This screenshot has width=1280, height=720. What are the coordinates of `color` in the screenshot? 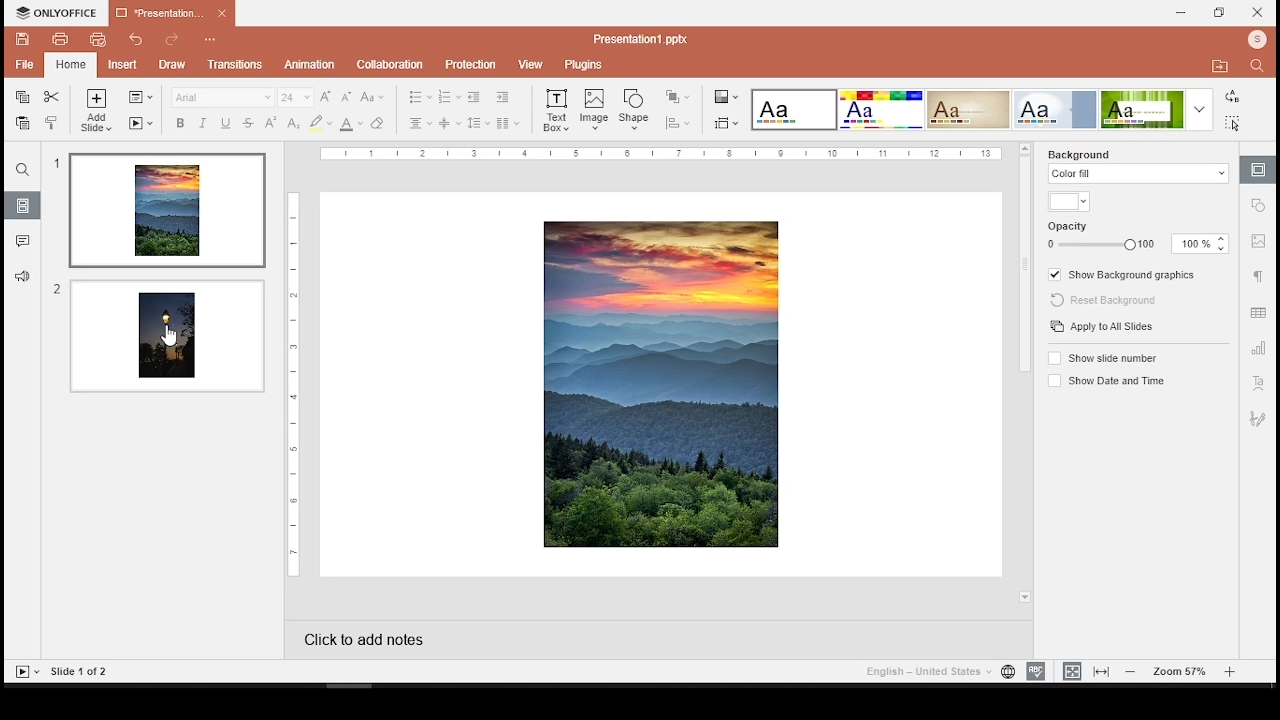 It's located at (1068, 201).